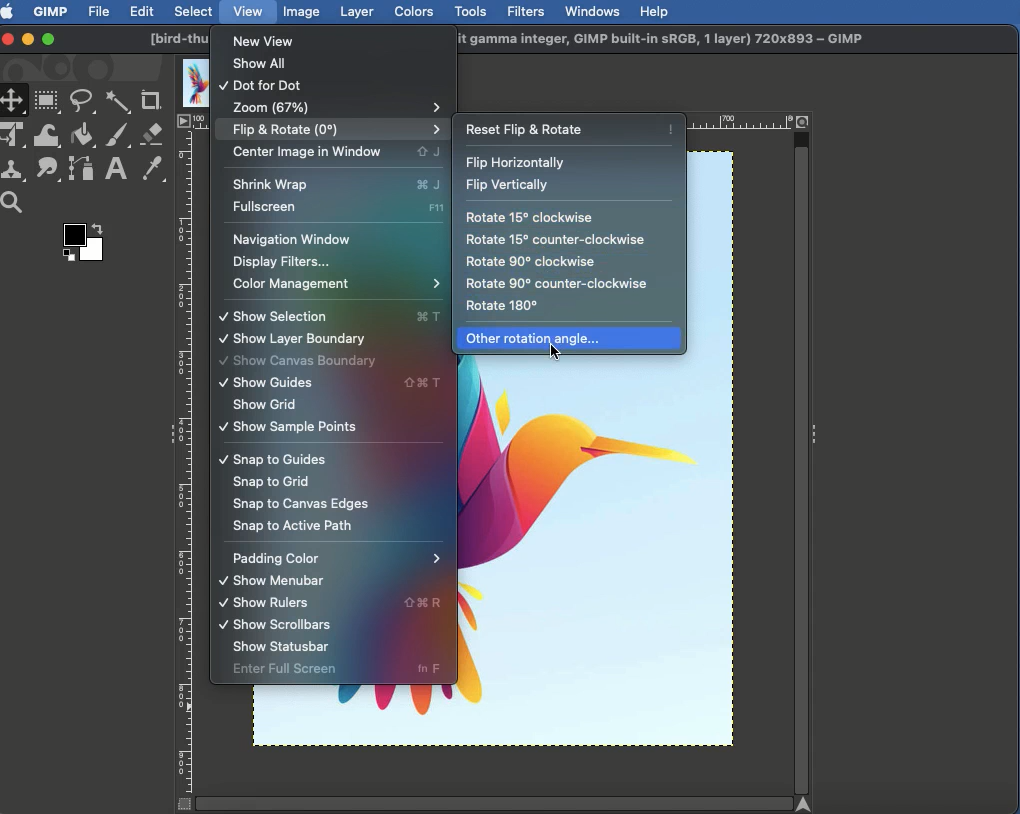 Image resolution: width=1020 pixels, height=814 pixels. What do you see at coordinates (524, 12) in the screenshot?
I see `Filters` at bounding box center [524, 12].